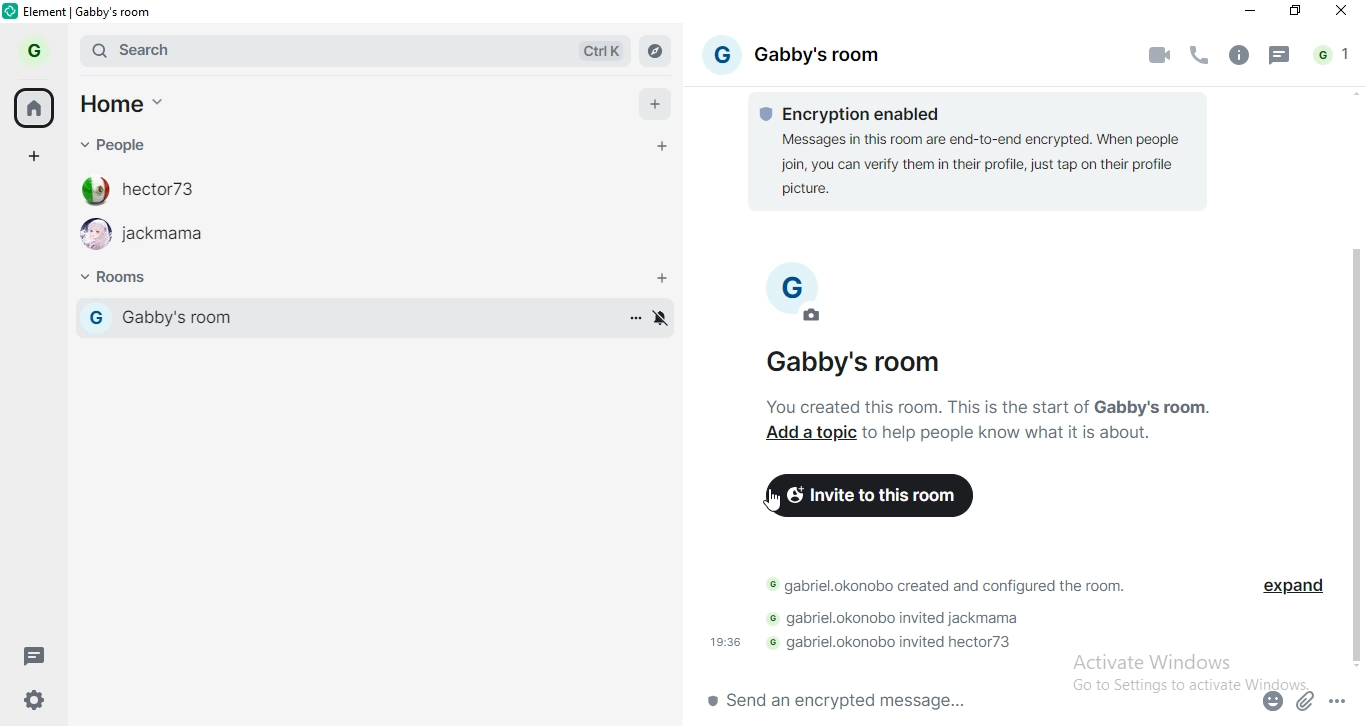 This screenshot has width=1366, height=726. I want to click on add rooms, so click(664, 279).